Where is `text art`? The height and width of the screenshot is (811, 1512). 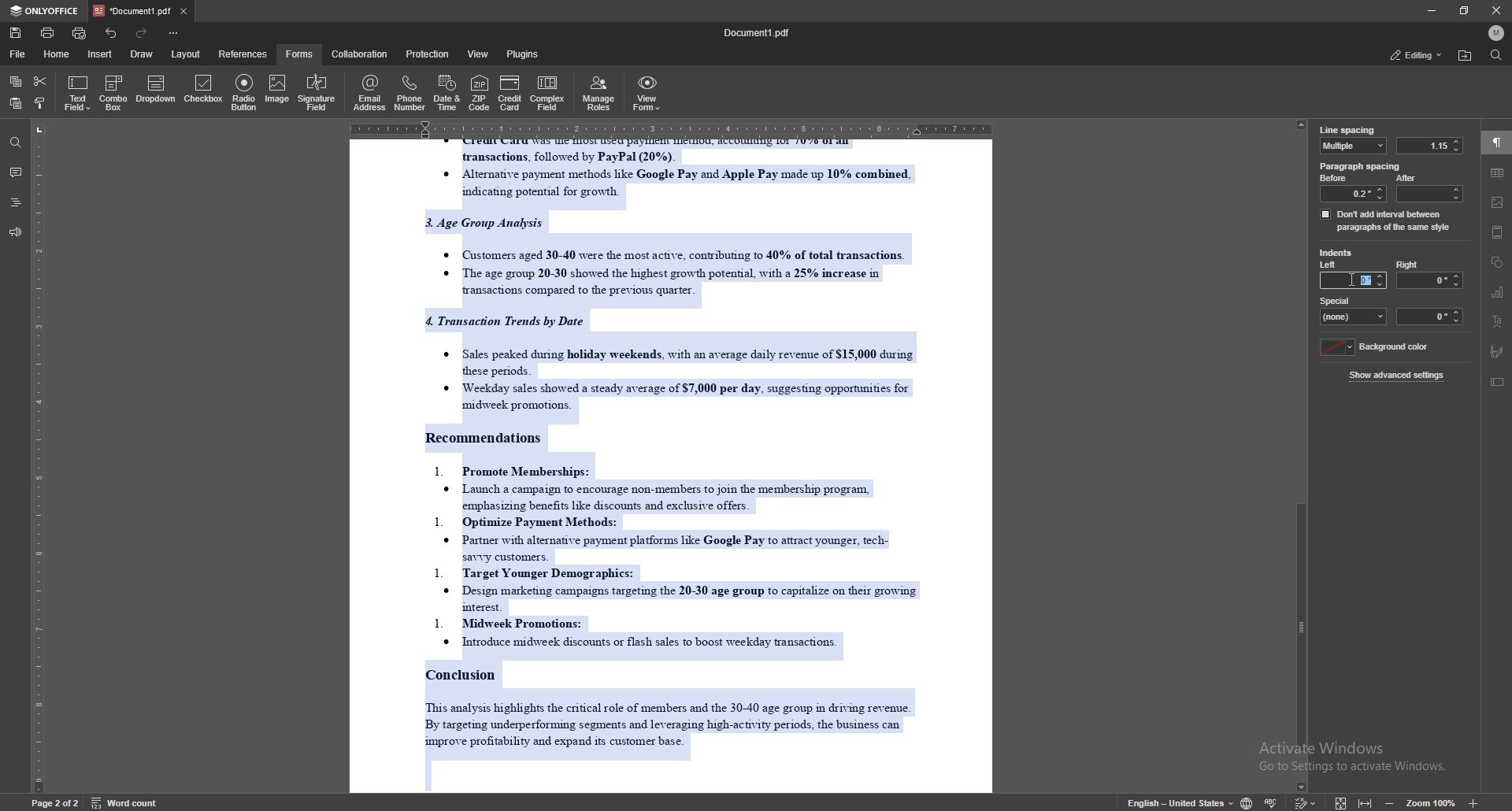 text art is located at coordinates (1496, 322).